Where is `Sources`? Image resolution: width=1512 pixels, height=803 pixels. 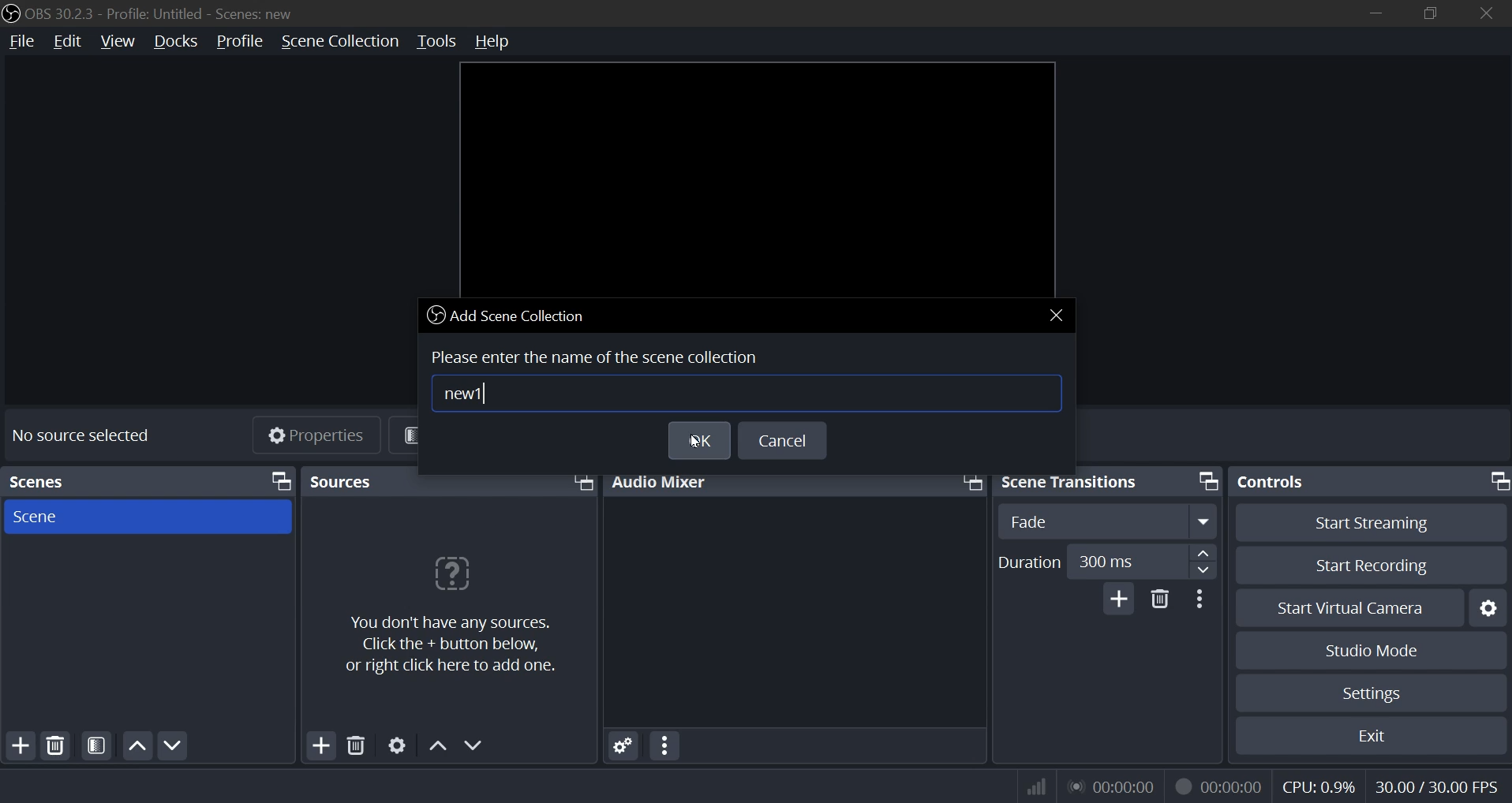
Sources is located at coordinates (346, 481).